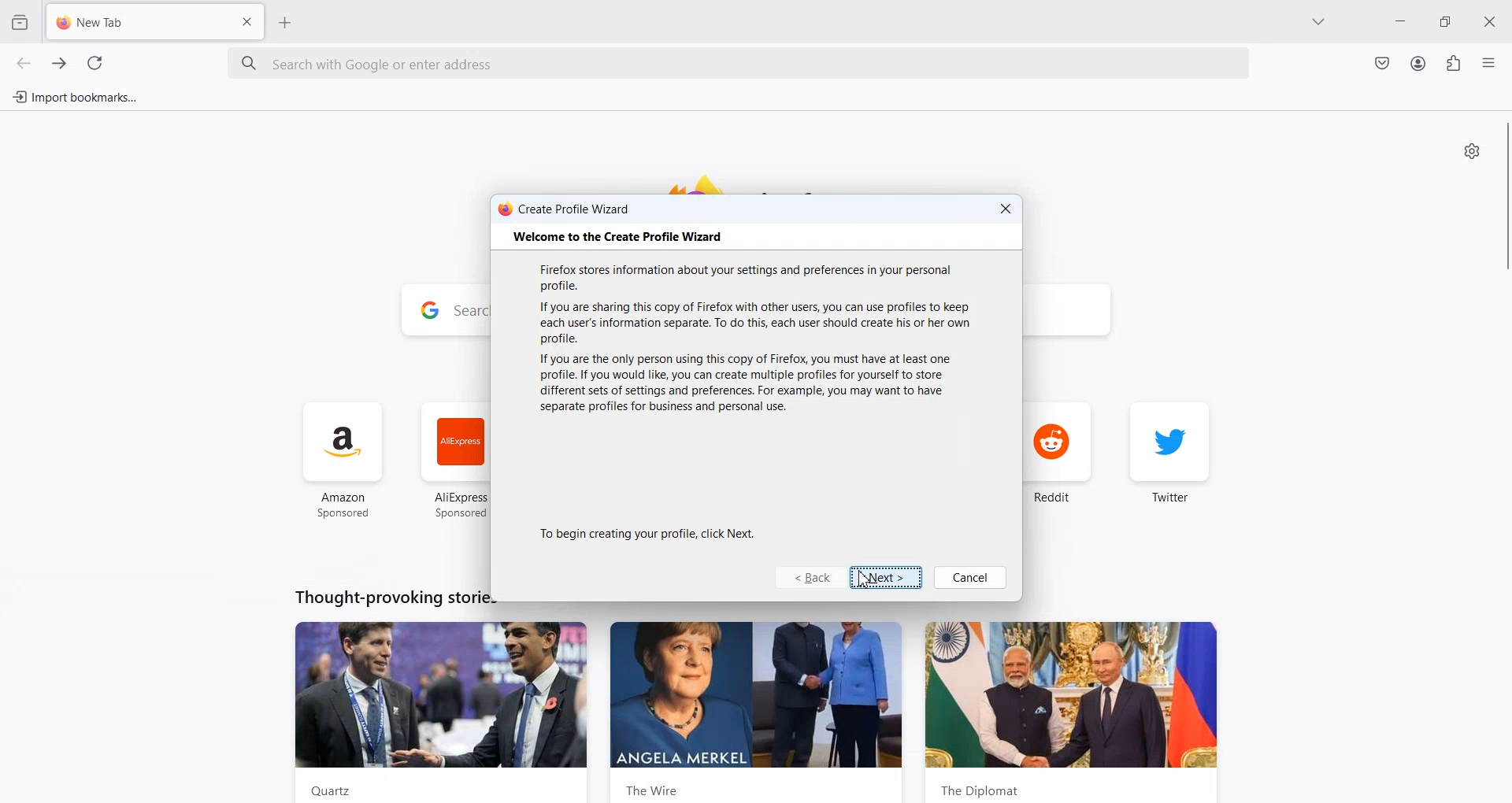 The width and height of the screenshot is (1512, 803). I want to click on Save to Pocket, so click(1380, 63).